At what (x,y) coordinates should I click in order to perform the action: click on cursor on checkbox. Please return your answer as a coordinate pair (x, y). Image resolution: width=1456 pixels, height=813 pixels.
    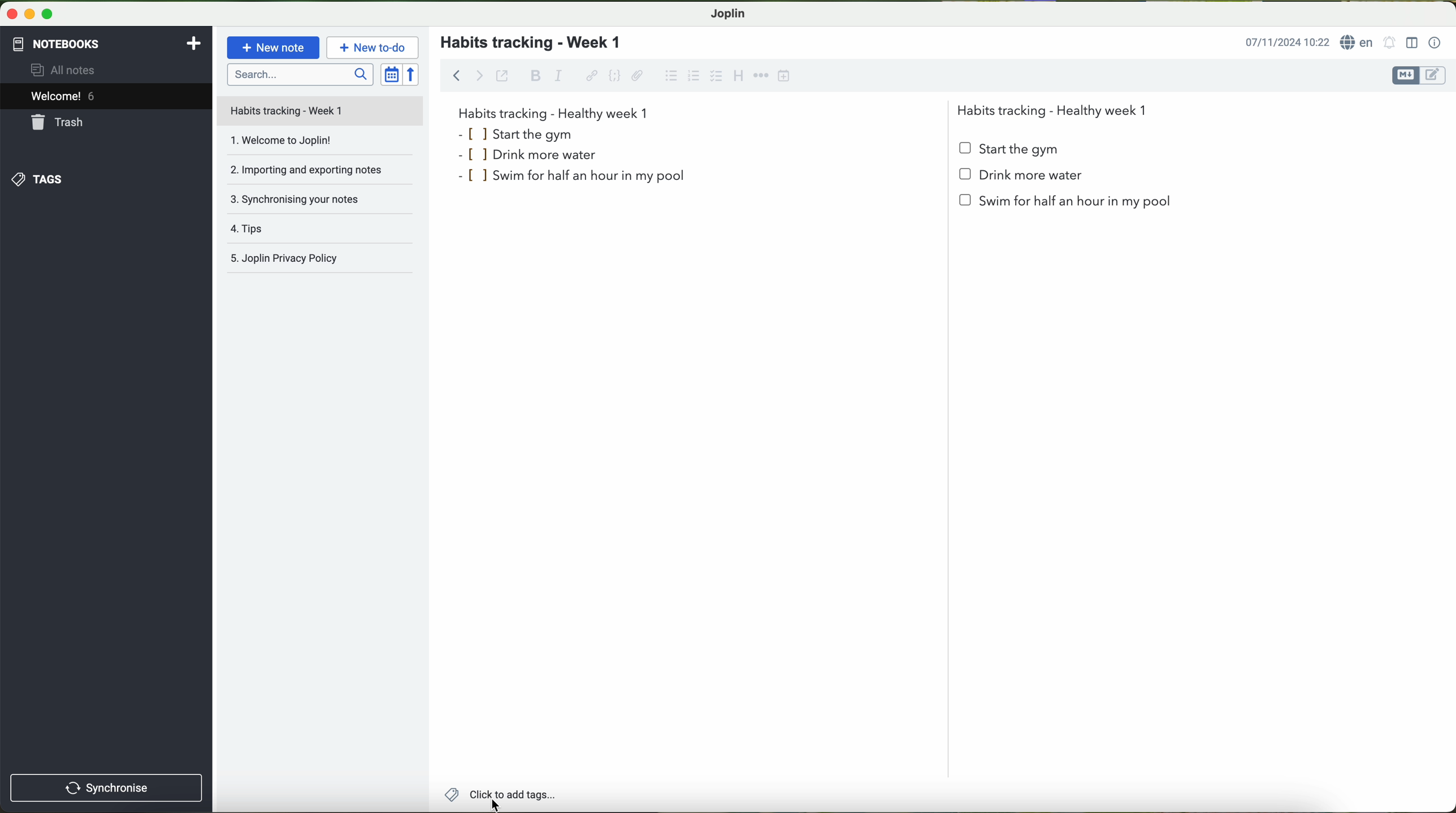
    Looking at the image, I should click on (717, 79).